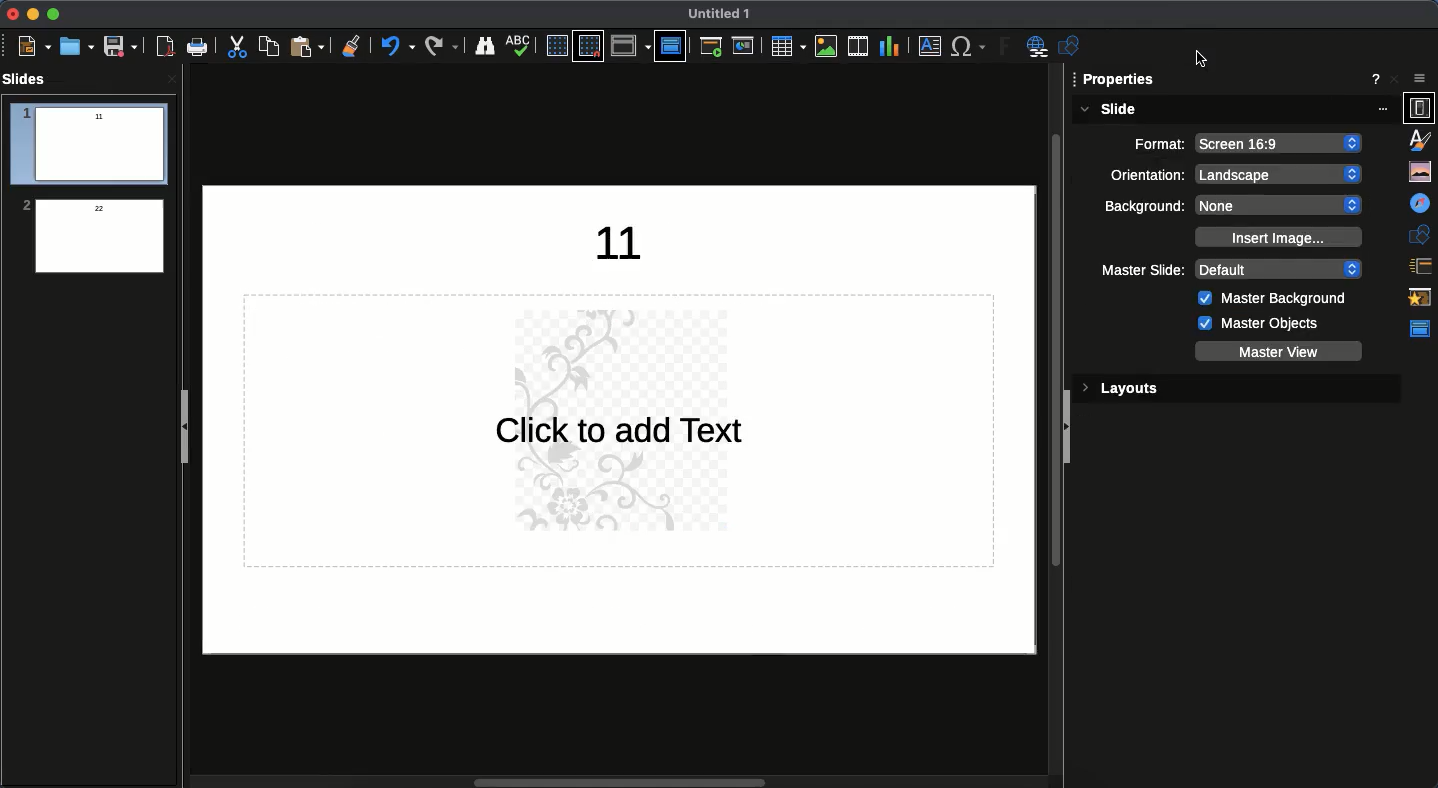 The height and width of the screenshot is (788, 1438). Describe the element at coordinates (745, 46) in the screenshot. I see `Start from current slide` at that location.